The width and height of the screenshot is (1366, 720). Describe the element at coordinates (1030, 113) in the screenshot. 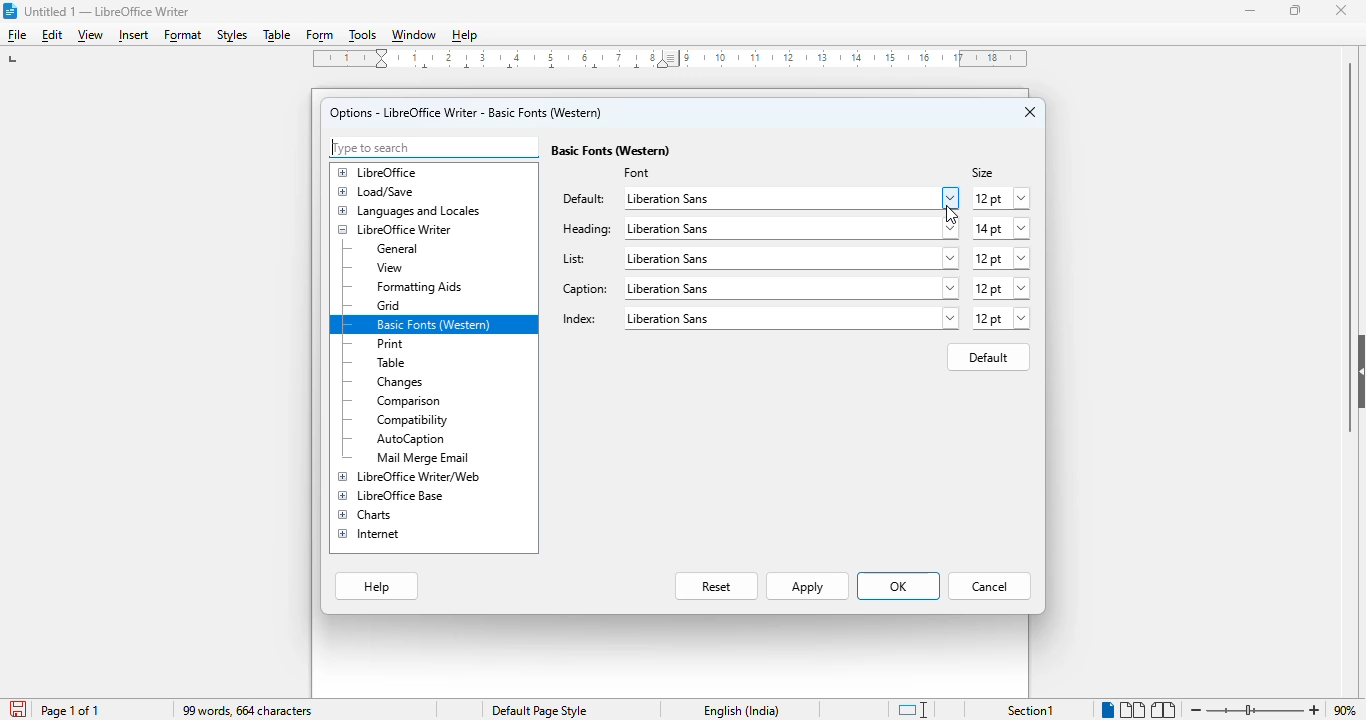

I see `close` at that location.